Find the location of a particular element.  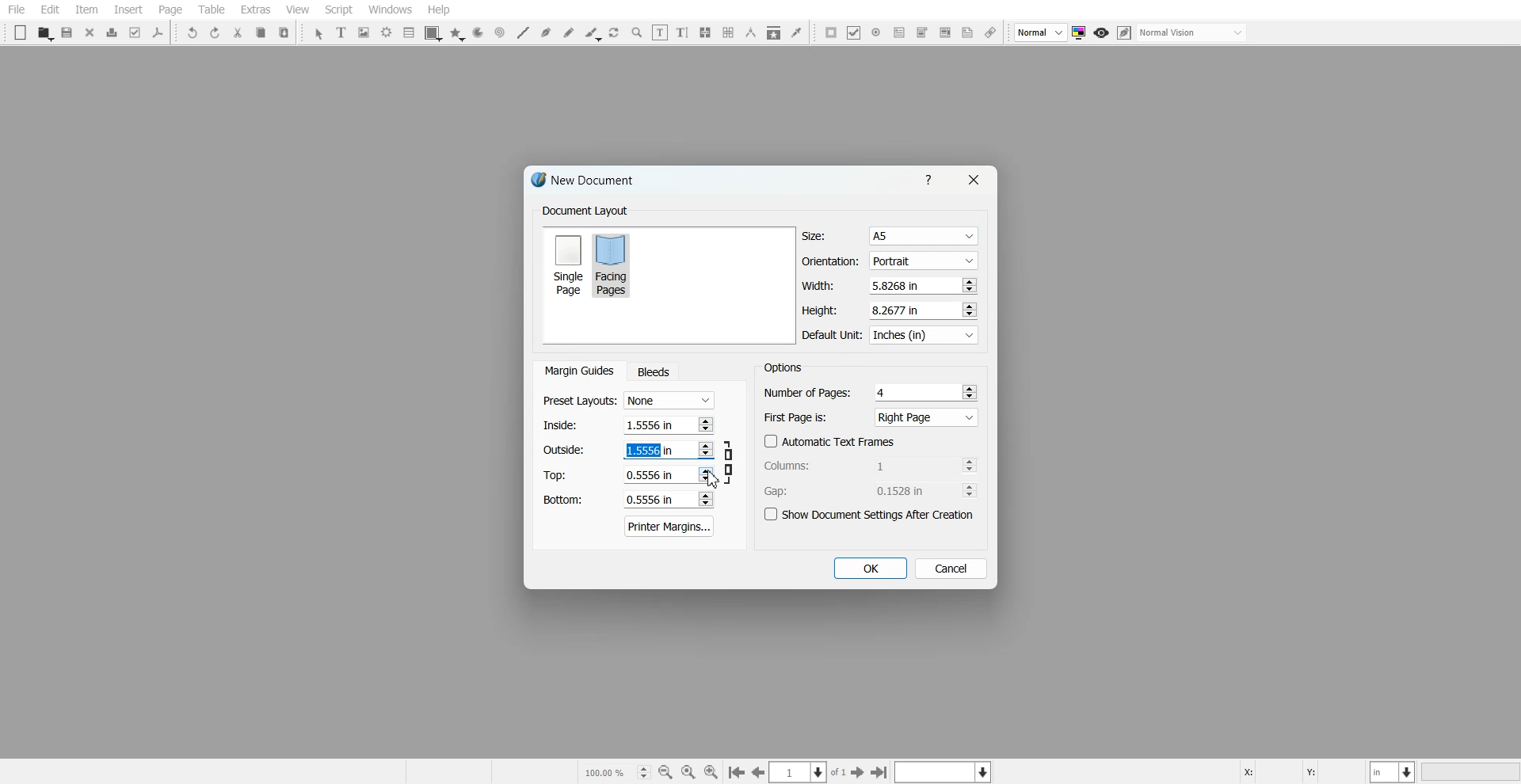

Left margin adjuster is located at coordinates (628, 424).